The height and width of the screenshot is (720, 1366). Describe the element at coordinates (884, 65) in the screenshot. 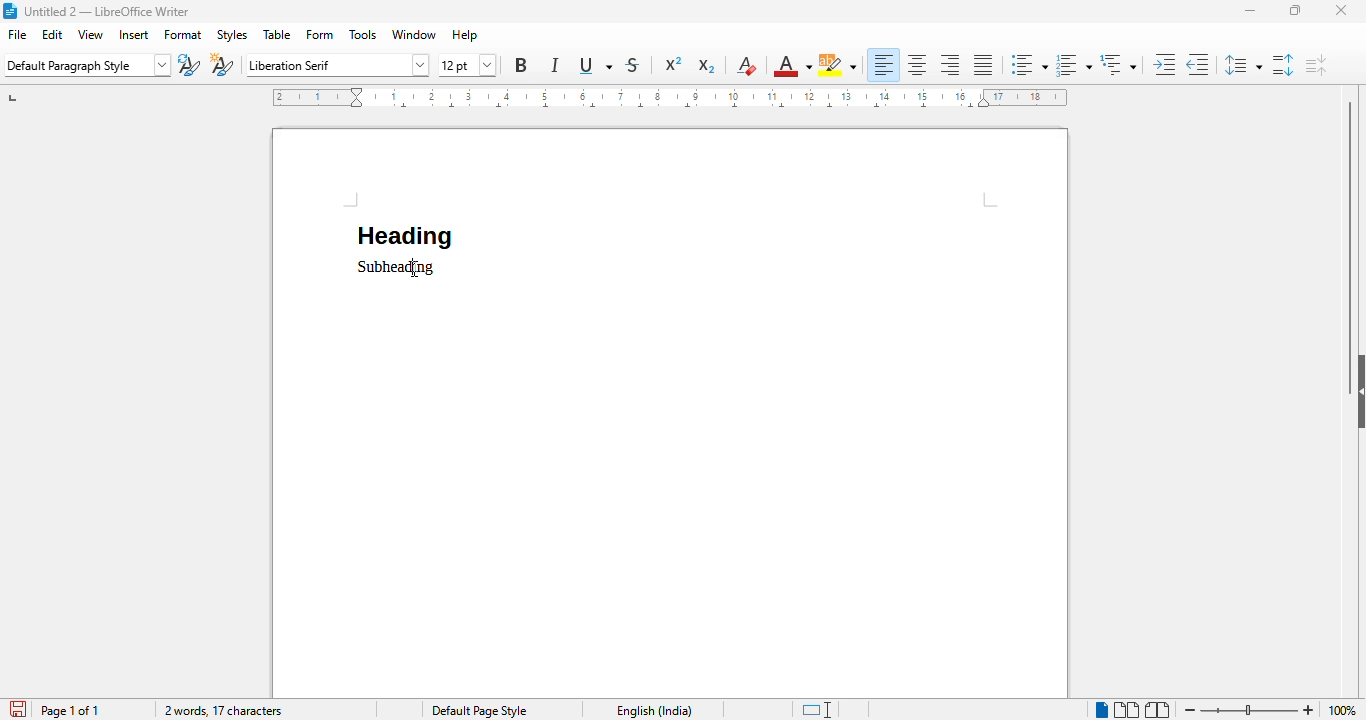

I see `align left` at that location.